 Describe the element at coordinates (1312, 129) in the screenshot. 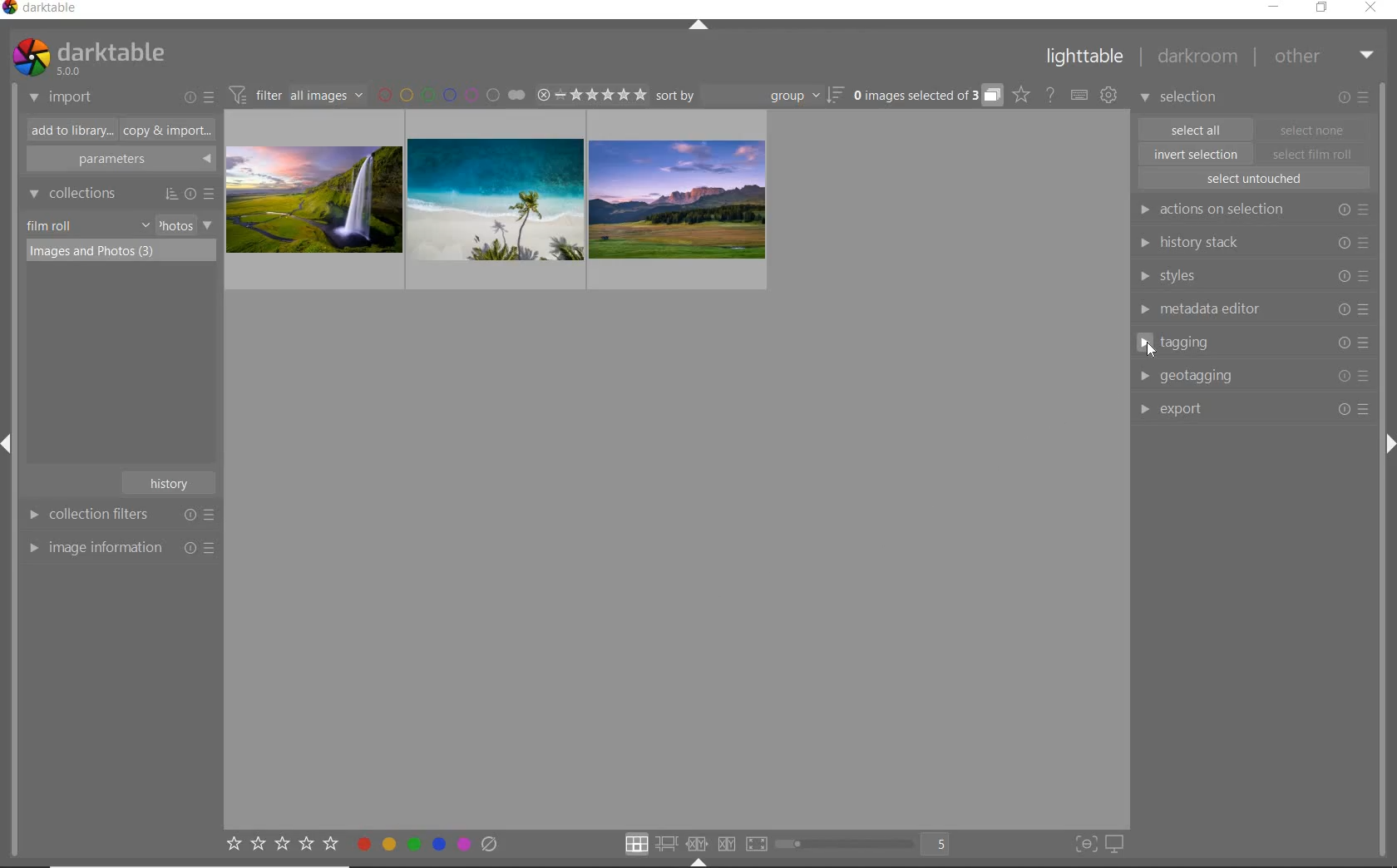

I see `select one` at that location.